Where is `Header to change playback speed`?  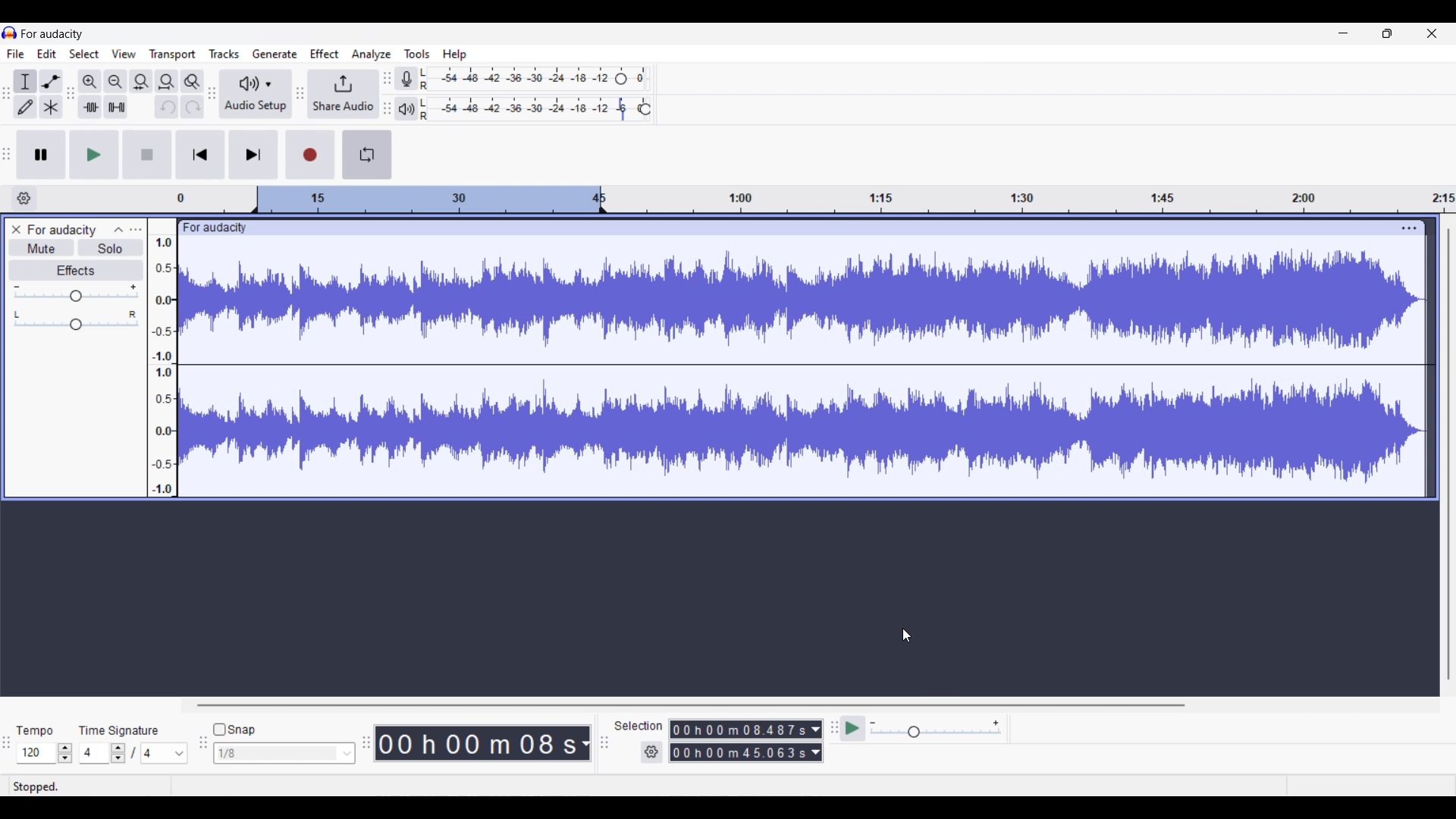 Header to change playback speed is located at coordinates (645, 109).